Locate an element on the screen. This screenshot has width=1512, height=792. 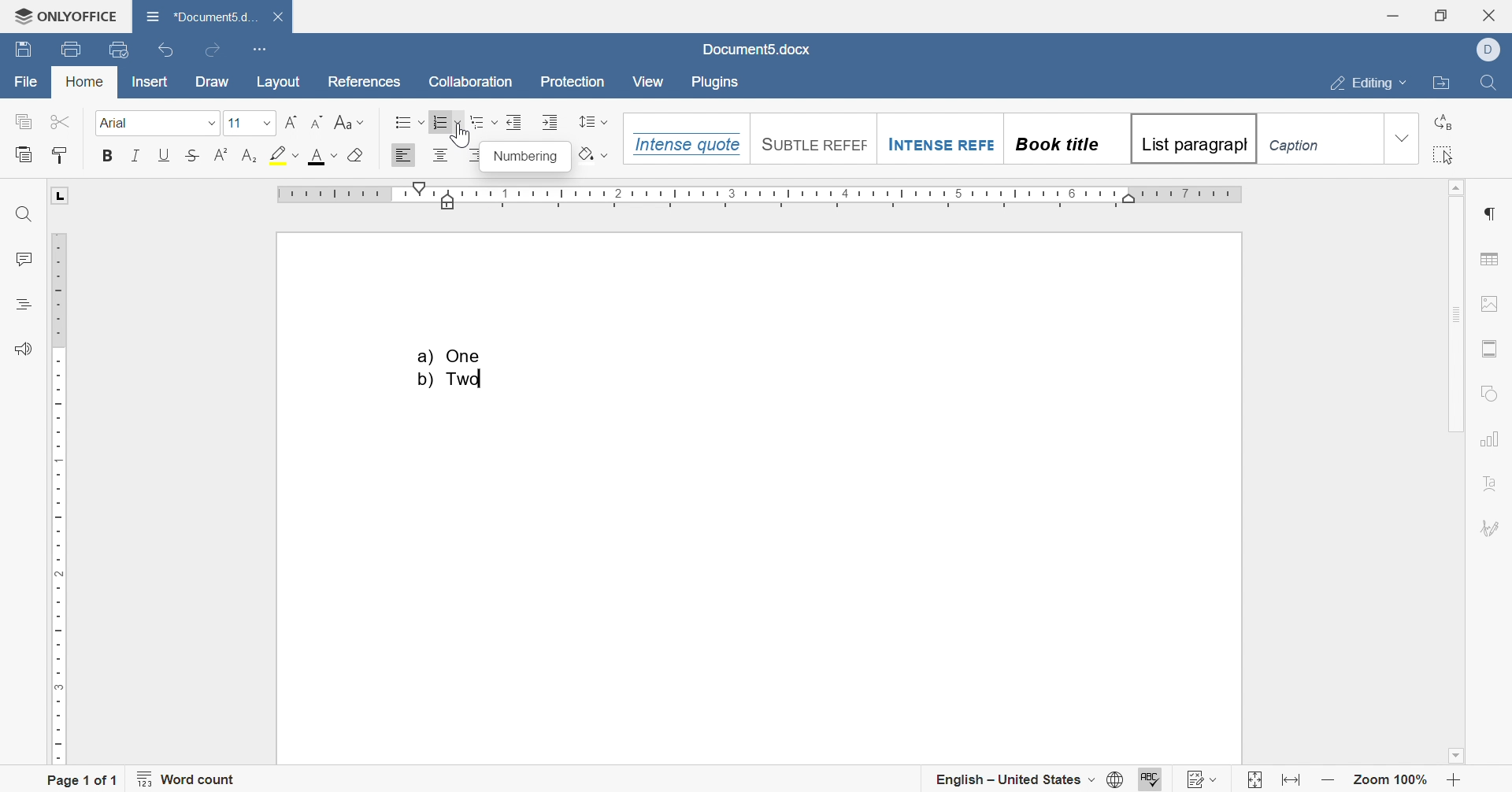
file is located at coordinates (27, 80).